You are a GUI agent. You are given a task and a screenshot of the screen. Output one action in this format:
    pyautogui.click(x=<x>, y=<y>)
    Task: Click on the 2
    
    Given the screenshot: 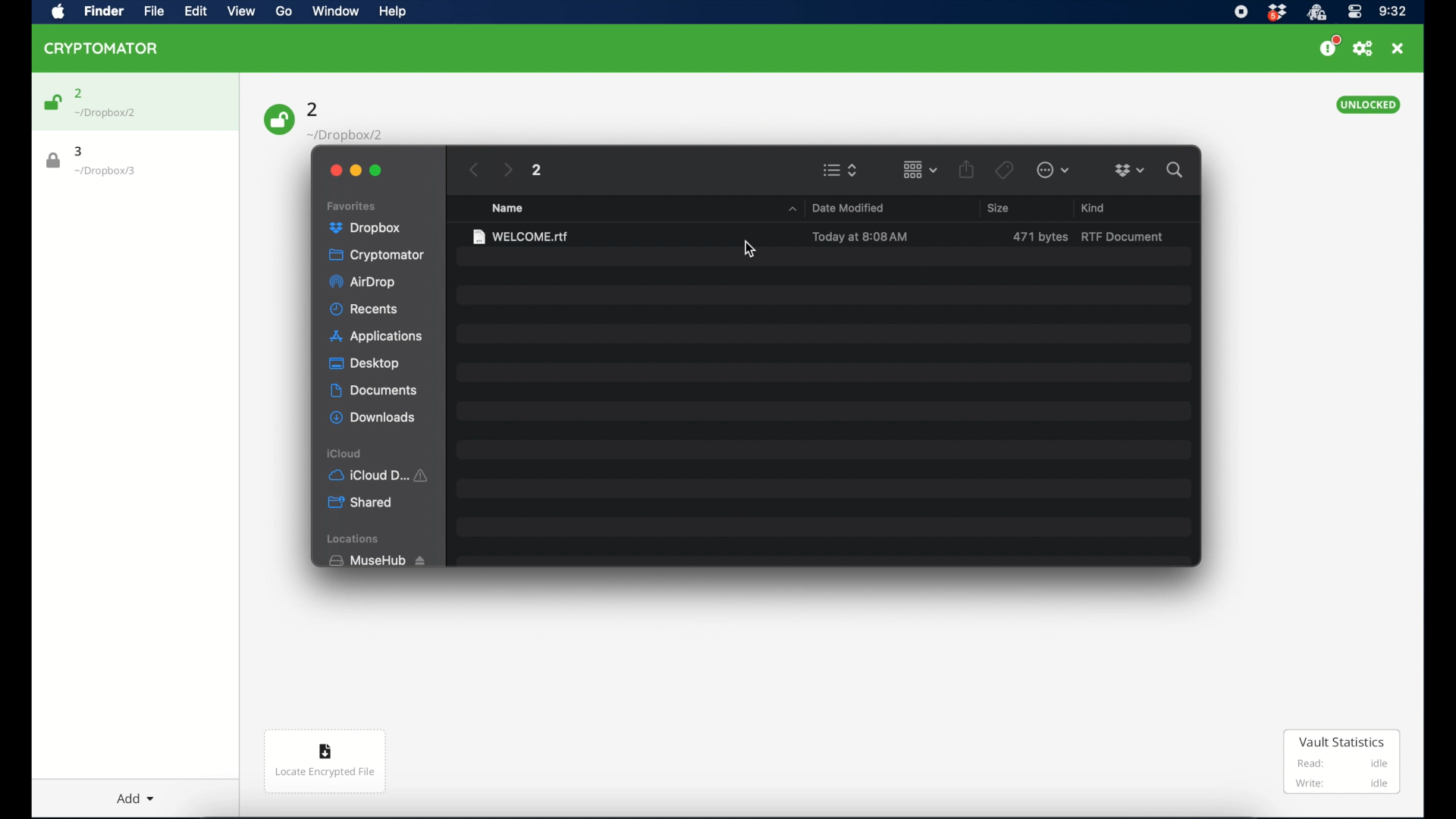 What is the action you would take?
    pyautogui.click(x=79, y=92)
    